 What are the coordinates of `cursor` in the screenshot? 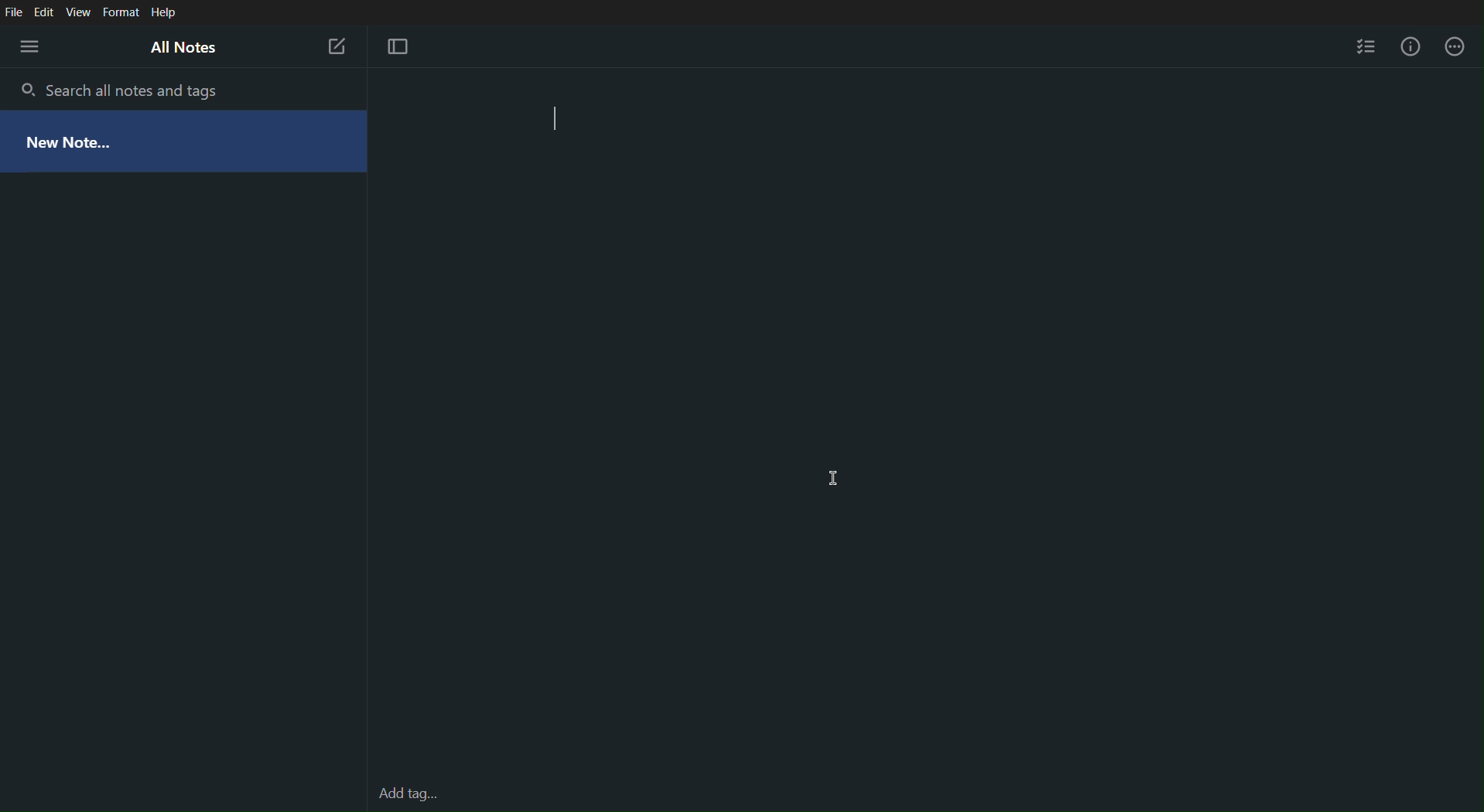 It's located at (837, 480).